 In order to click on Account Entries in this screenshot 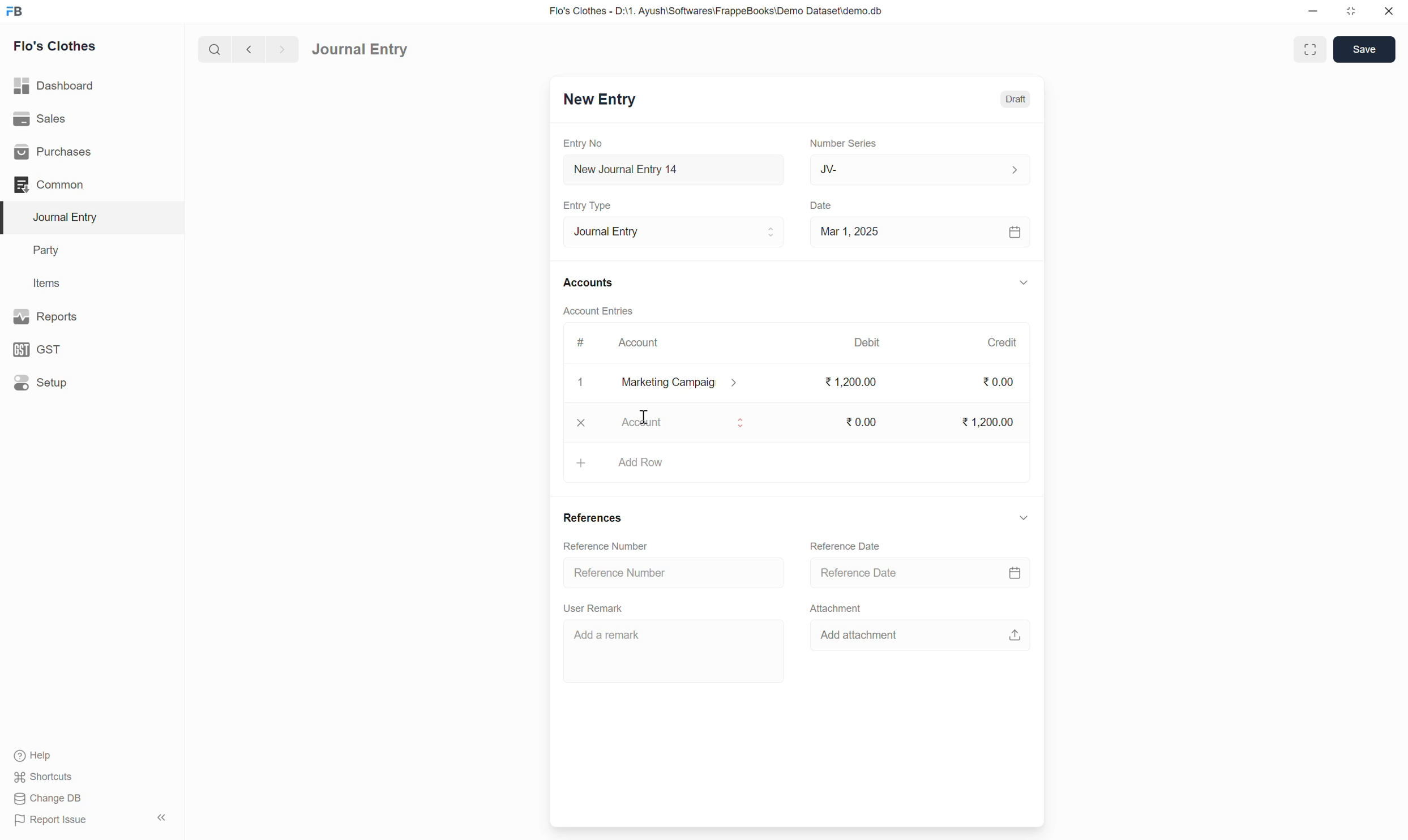, I will do `click(599, 310)`.